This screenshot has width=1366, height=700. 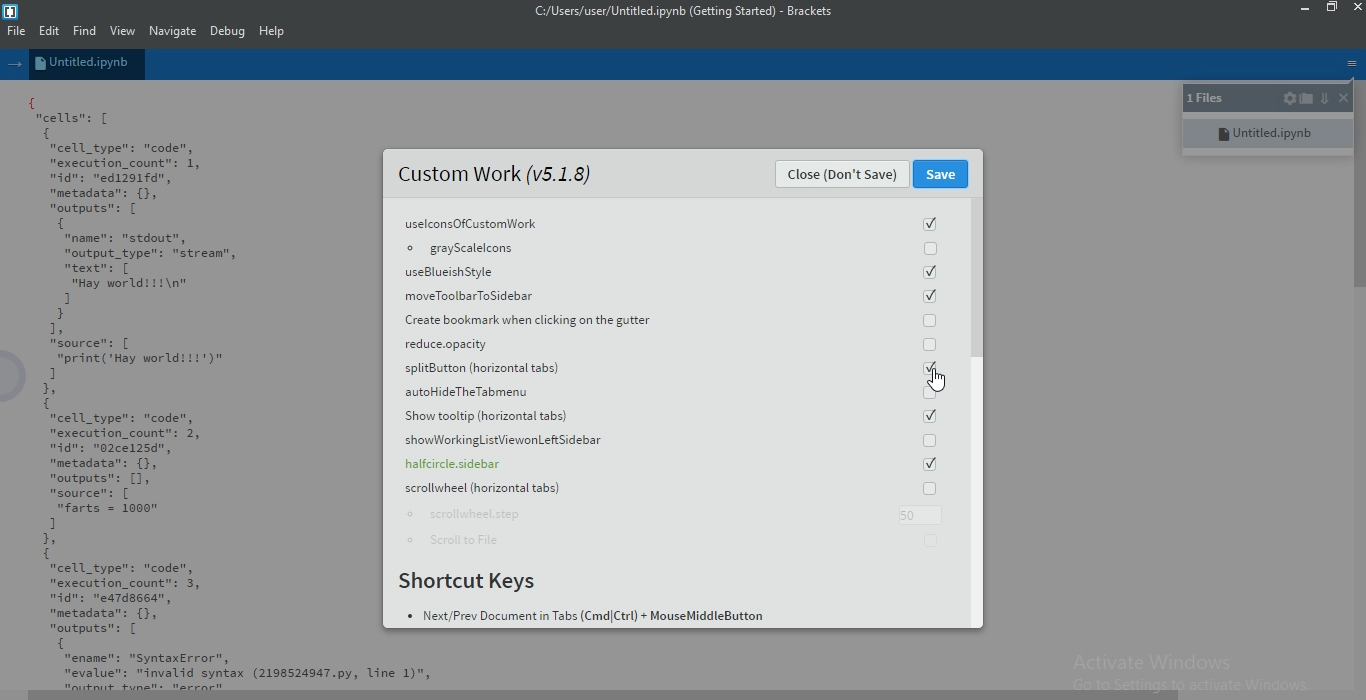 What do you see at coordinates (1357, 199) in the screenshot?
I see `scroll bar` at bounding box center [1357, 199].